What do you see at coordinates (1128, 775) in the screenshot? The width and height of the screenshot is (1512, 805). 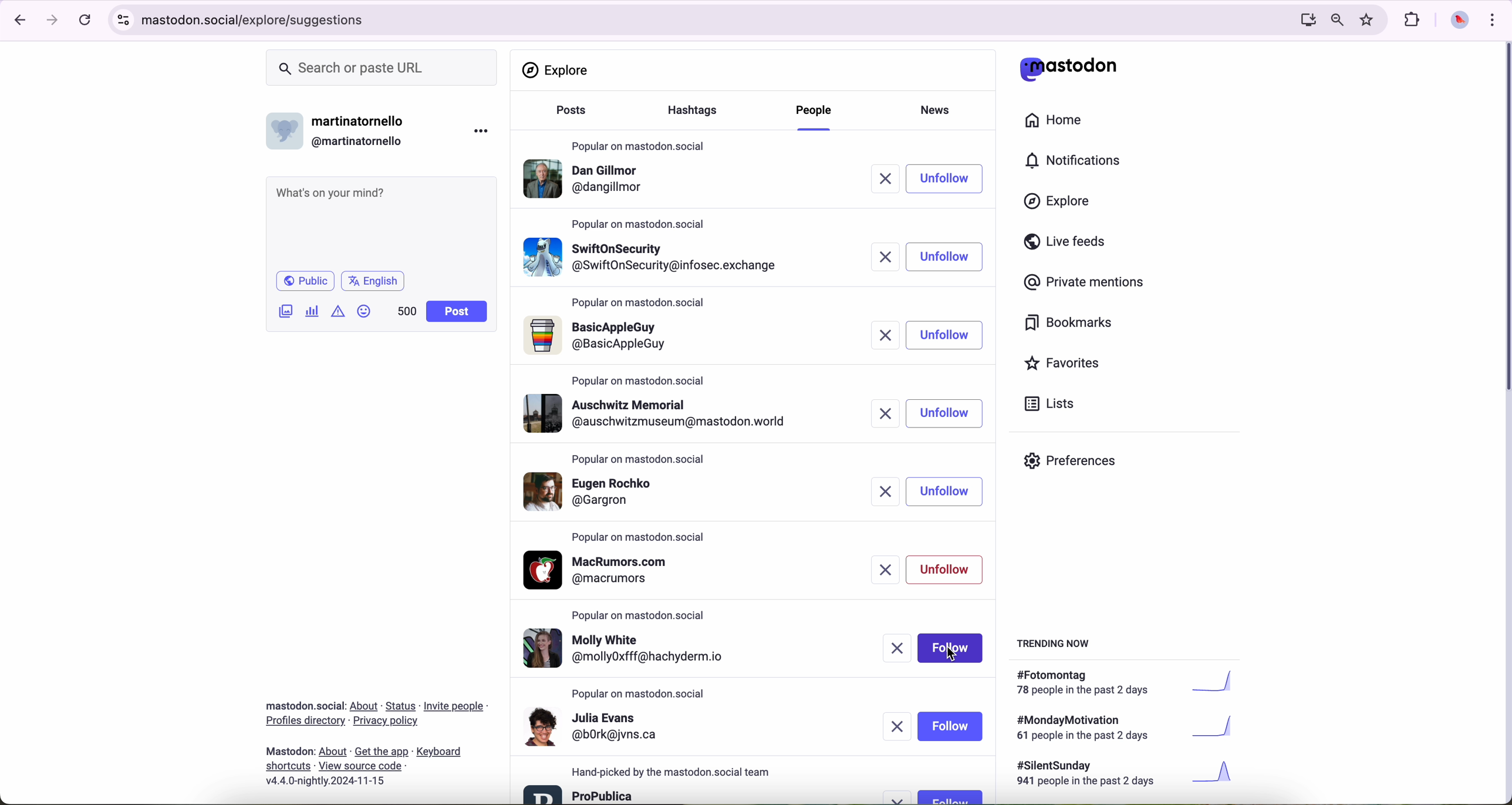 I see `#silentsunday` at bounding box center [1128, 775].